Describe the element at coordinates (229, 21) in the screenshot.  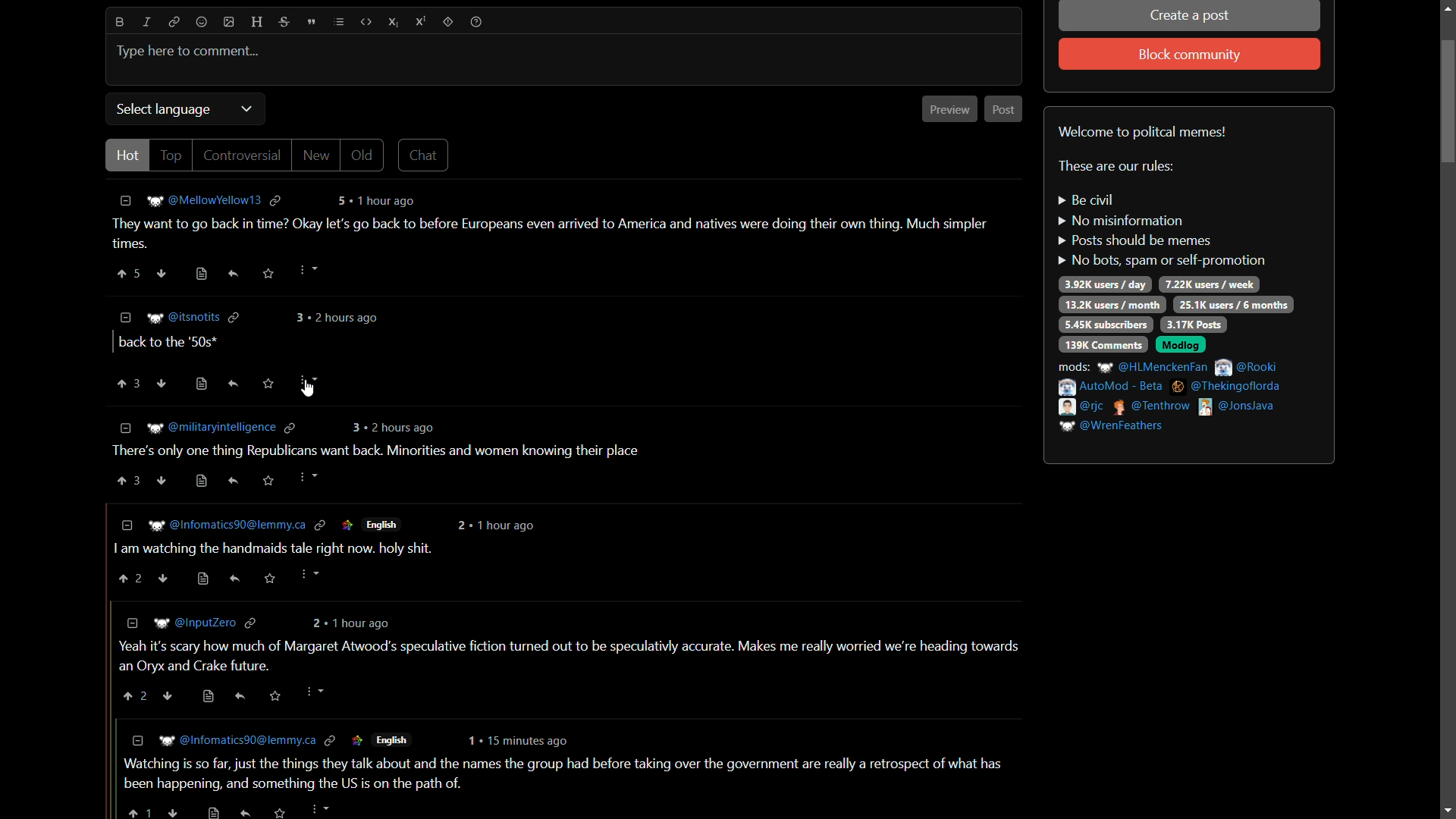
I see `image` at that location.